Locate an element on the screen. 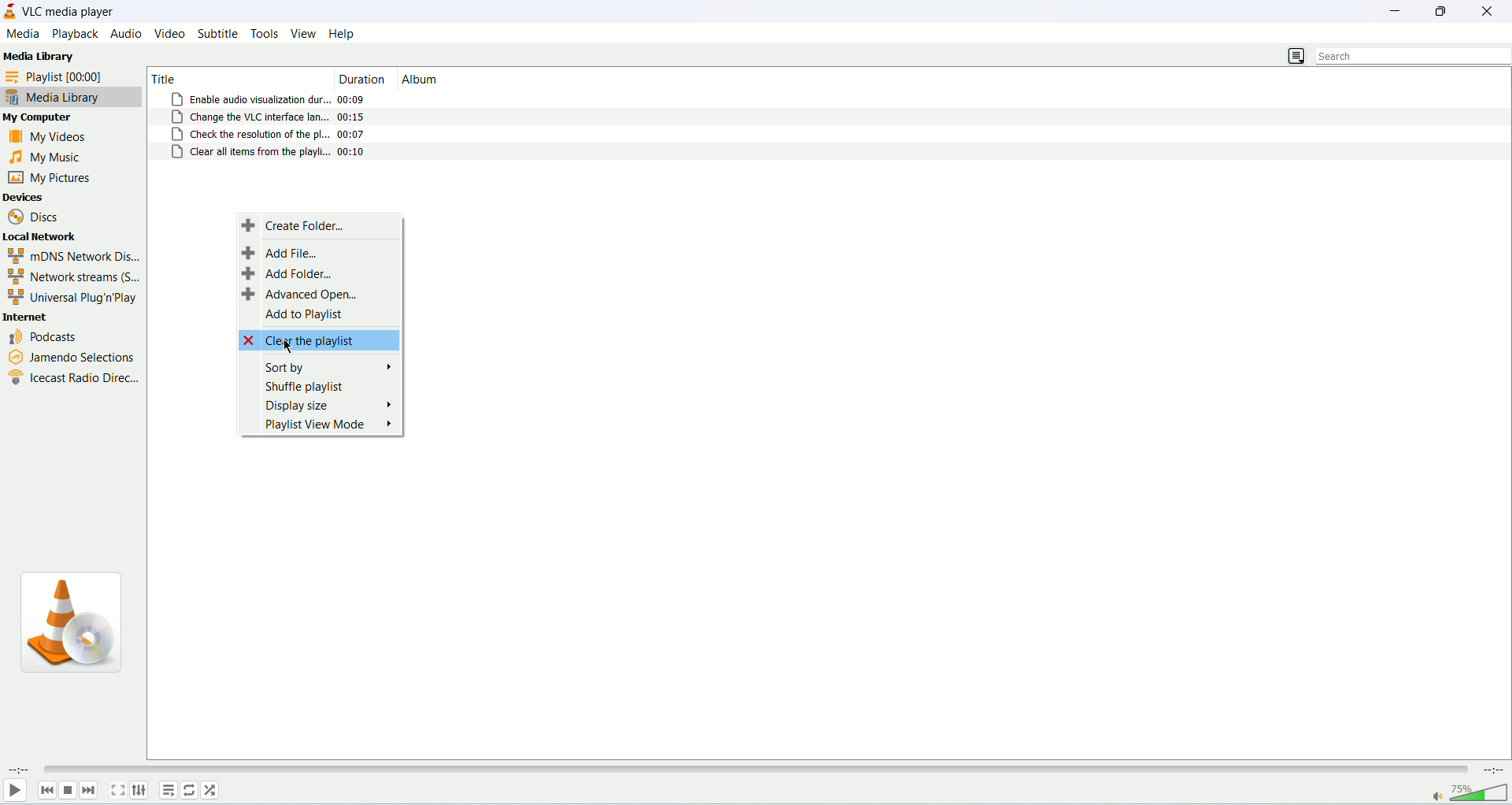 This screenshot has width=1512, height=805. extended settings is located at coordinates (143, 790).